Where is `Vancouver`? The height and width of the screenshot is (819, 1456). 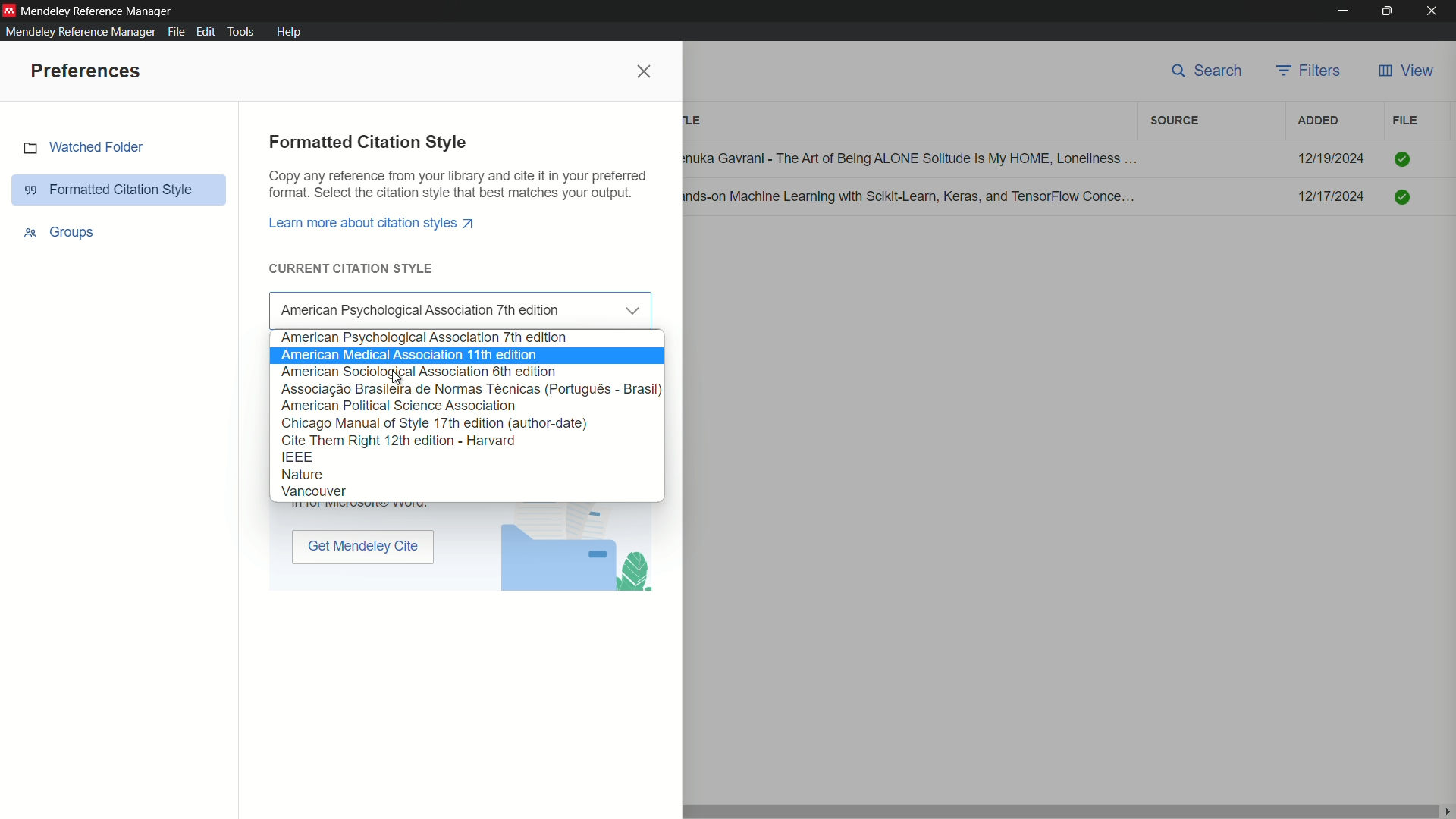 Vancouver is located at coordinates (467, 493).